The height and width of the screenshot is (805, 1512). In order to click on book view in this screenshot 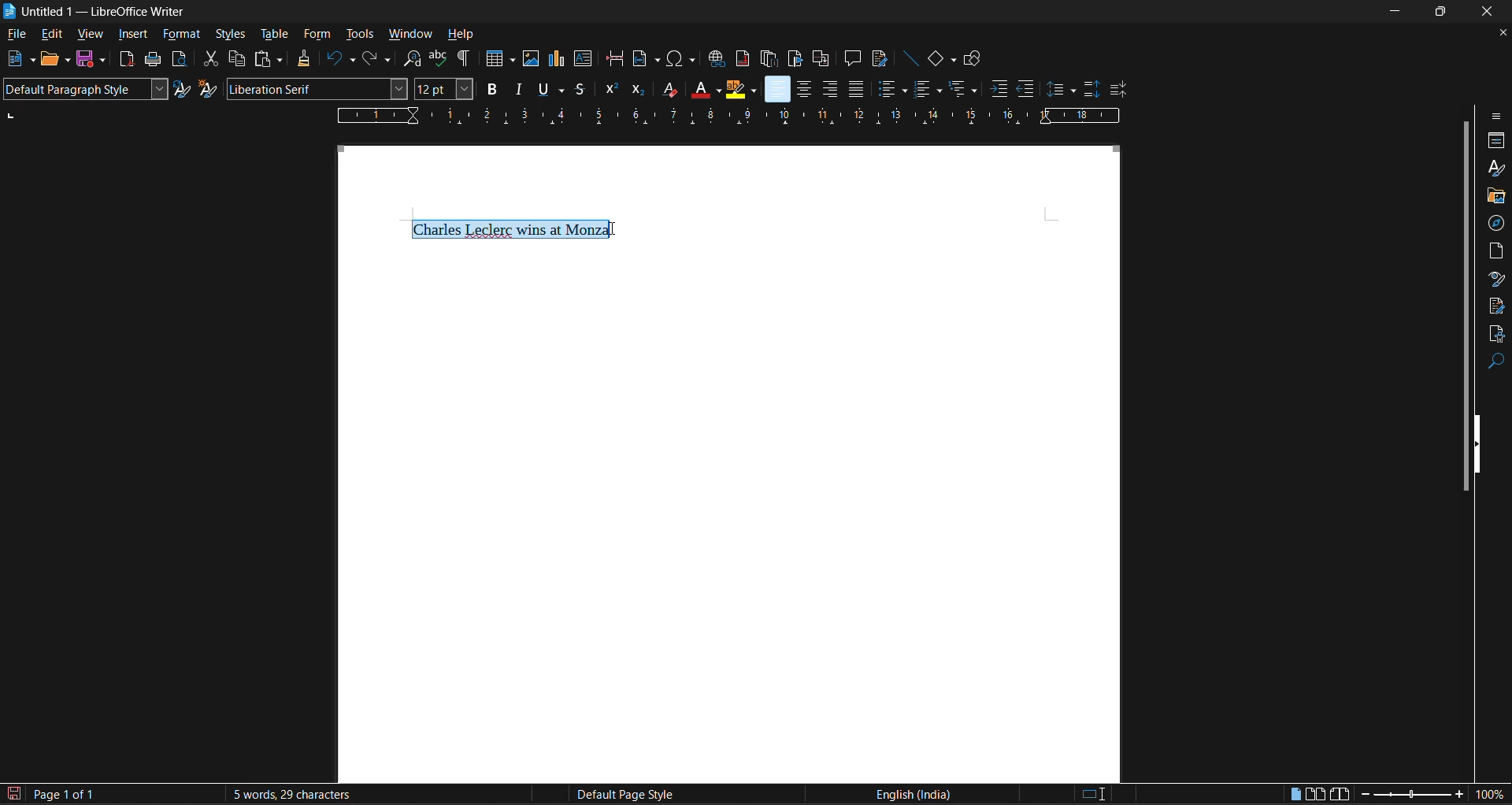, I will do `click(1340, 796)`.